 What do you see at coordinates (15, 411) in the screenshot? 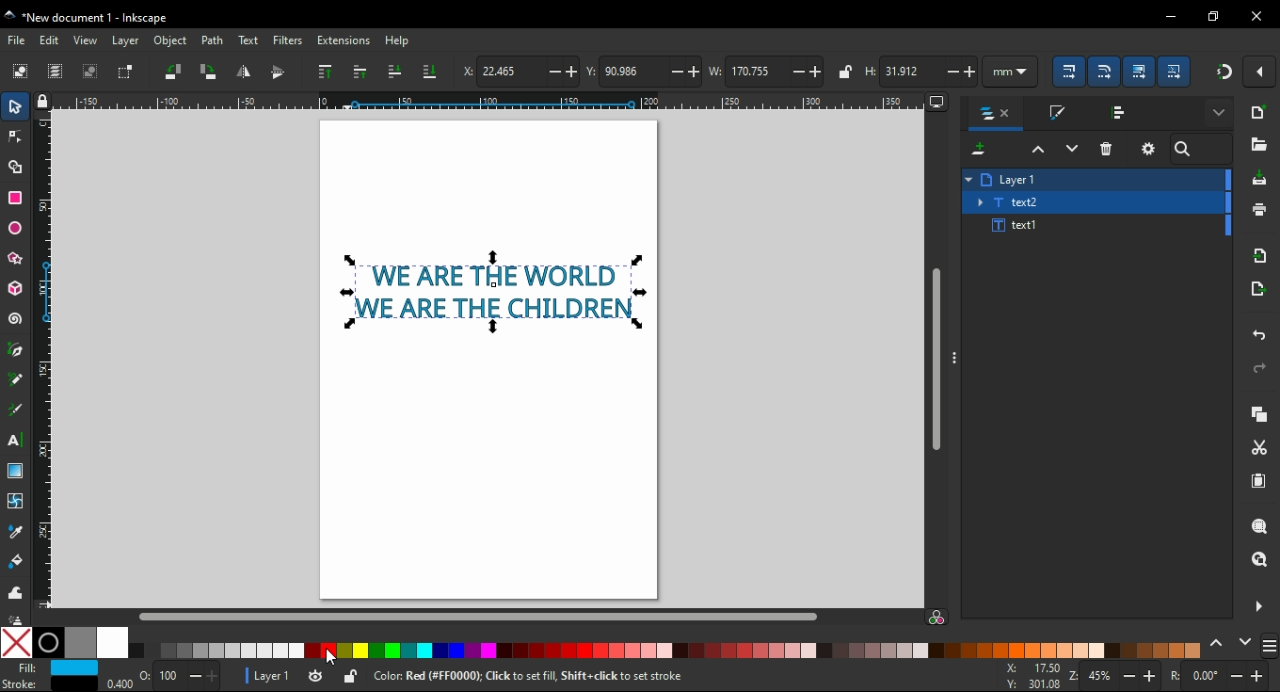
I see `calligraphy tool` at bounding box center [15, 411].